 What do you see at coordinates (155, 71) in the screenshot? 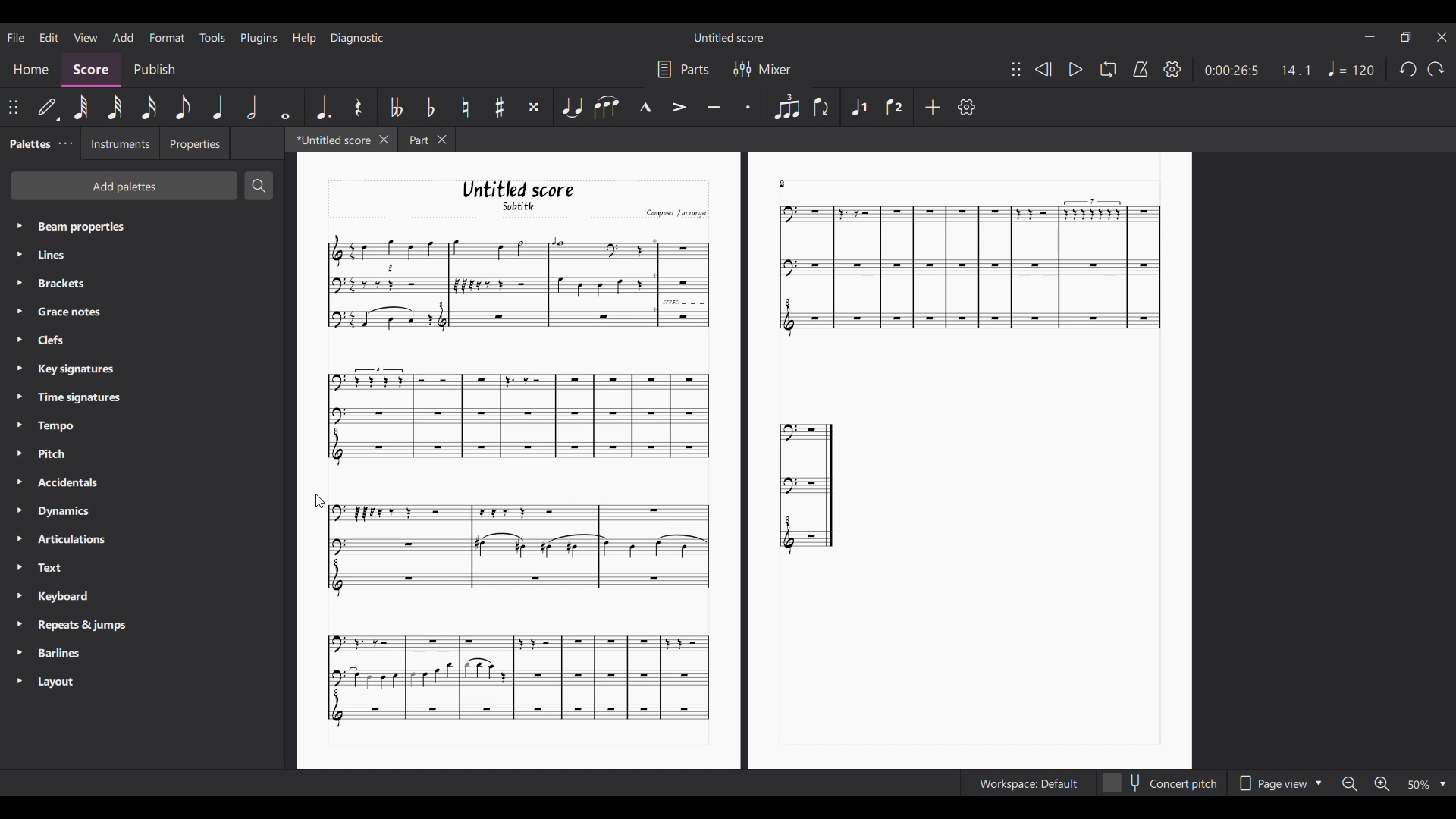
I see `Publish ` at bounding box center [155, 71].